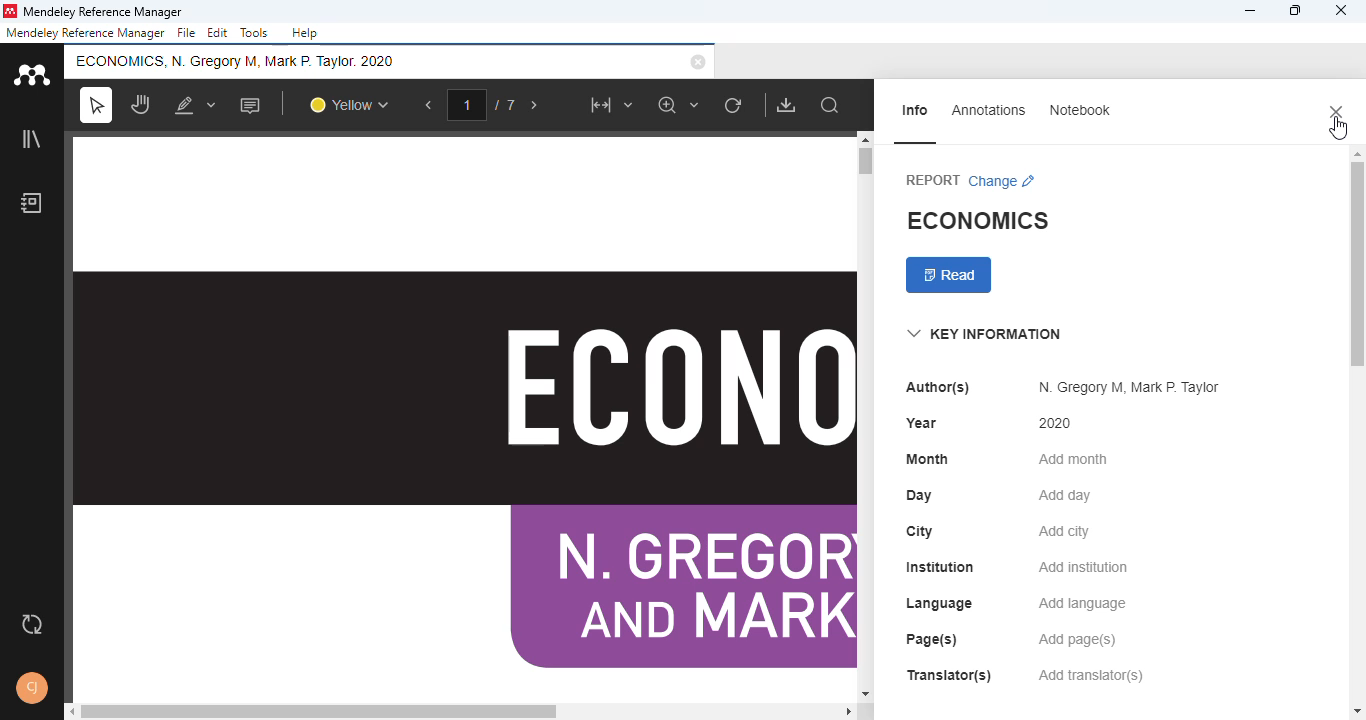 This screenshot has width=1366, height=720. Describe the element at coordinates (1340, 10) in the screenshot. I see `close` at that location.